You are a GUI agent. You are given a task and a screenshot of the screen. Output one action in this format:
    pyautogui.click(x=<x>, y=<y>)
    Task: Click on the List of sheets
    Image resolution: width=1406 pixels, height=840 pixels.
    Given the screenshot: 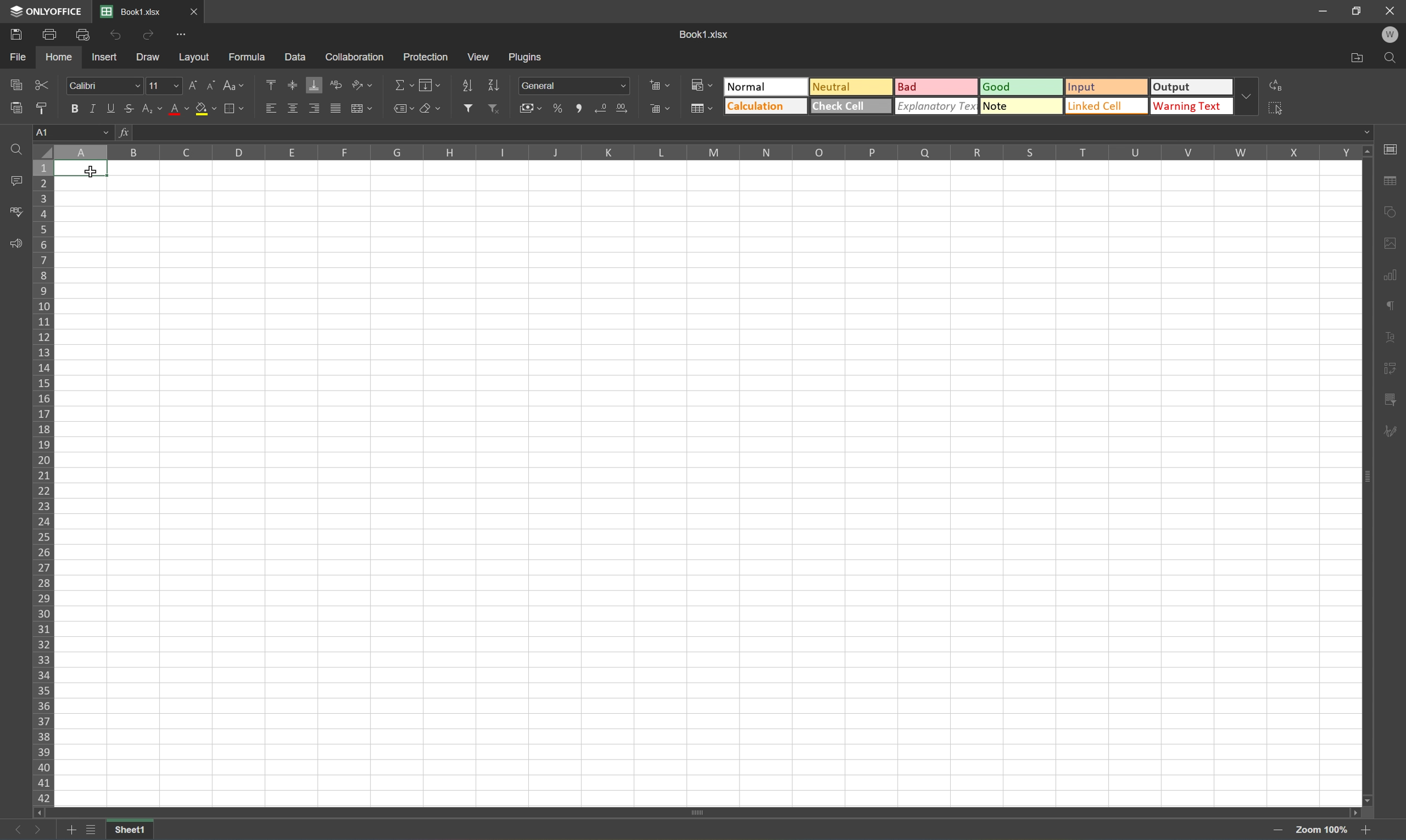 What is the action you would take?
    pyautogui.click(x=92, y=830)
    